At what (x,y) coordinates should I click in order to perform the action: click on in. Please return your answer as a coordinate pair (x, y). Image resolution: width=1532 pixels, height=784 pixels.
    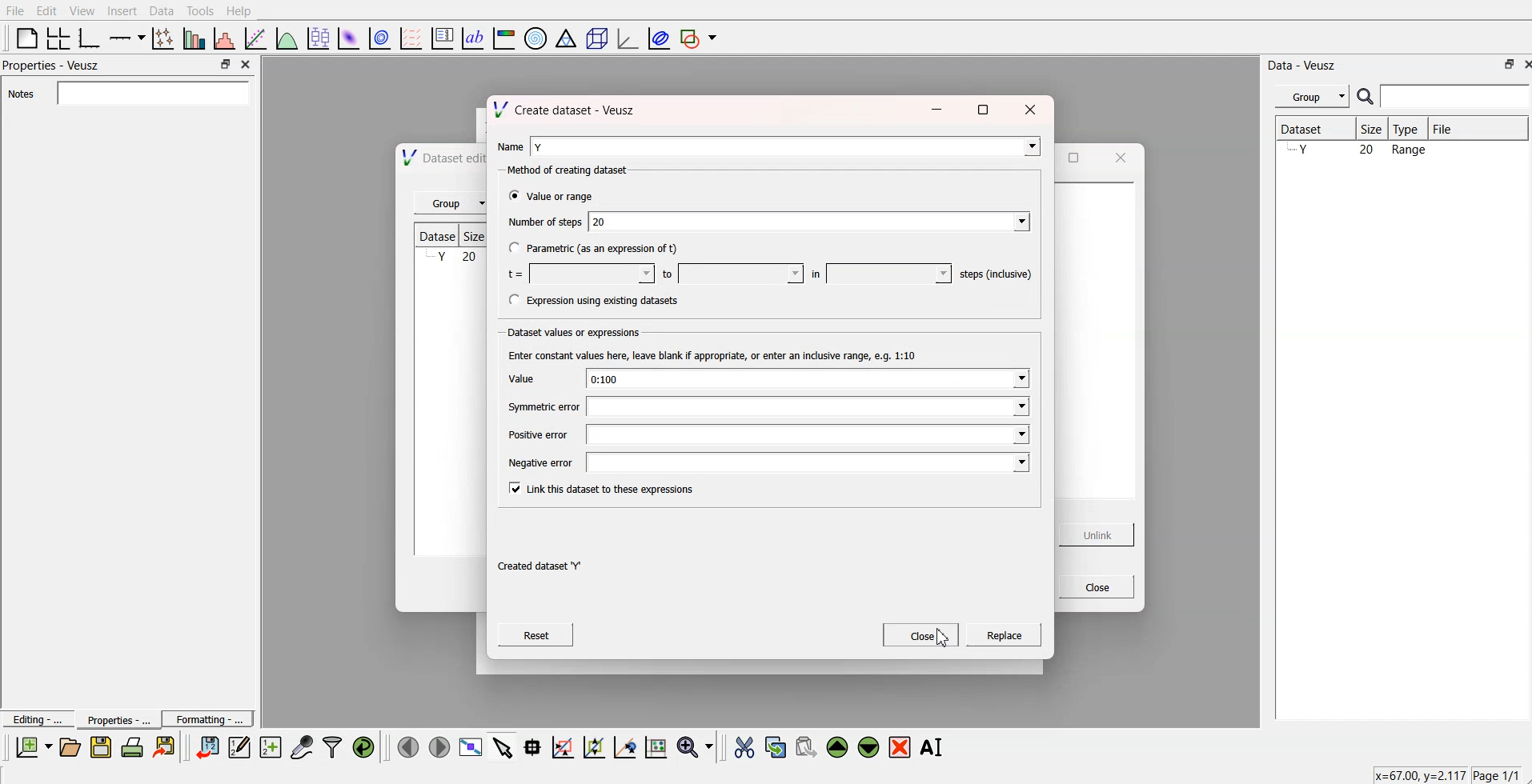
    Looking at the image, I should click on (875, 272).